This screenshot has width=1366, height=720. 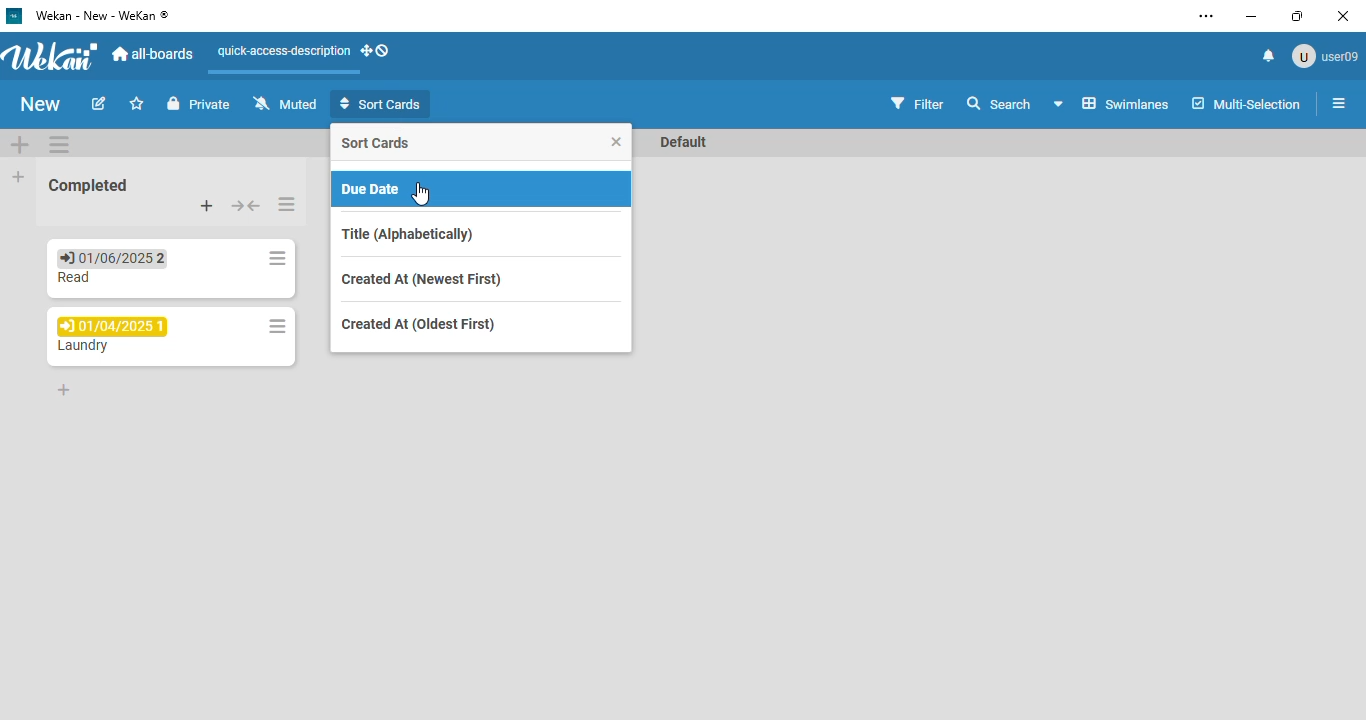 I want to click on list actions, so click(x=287, y=204).